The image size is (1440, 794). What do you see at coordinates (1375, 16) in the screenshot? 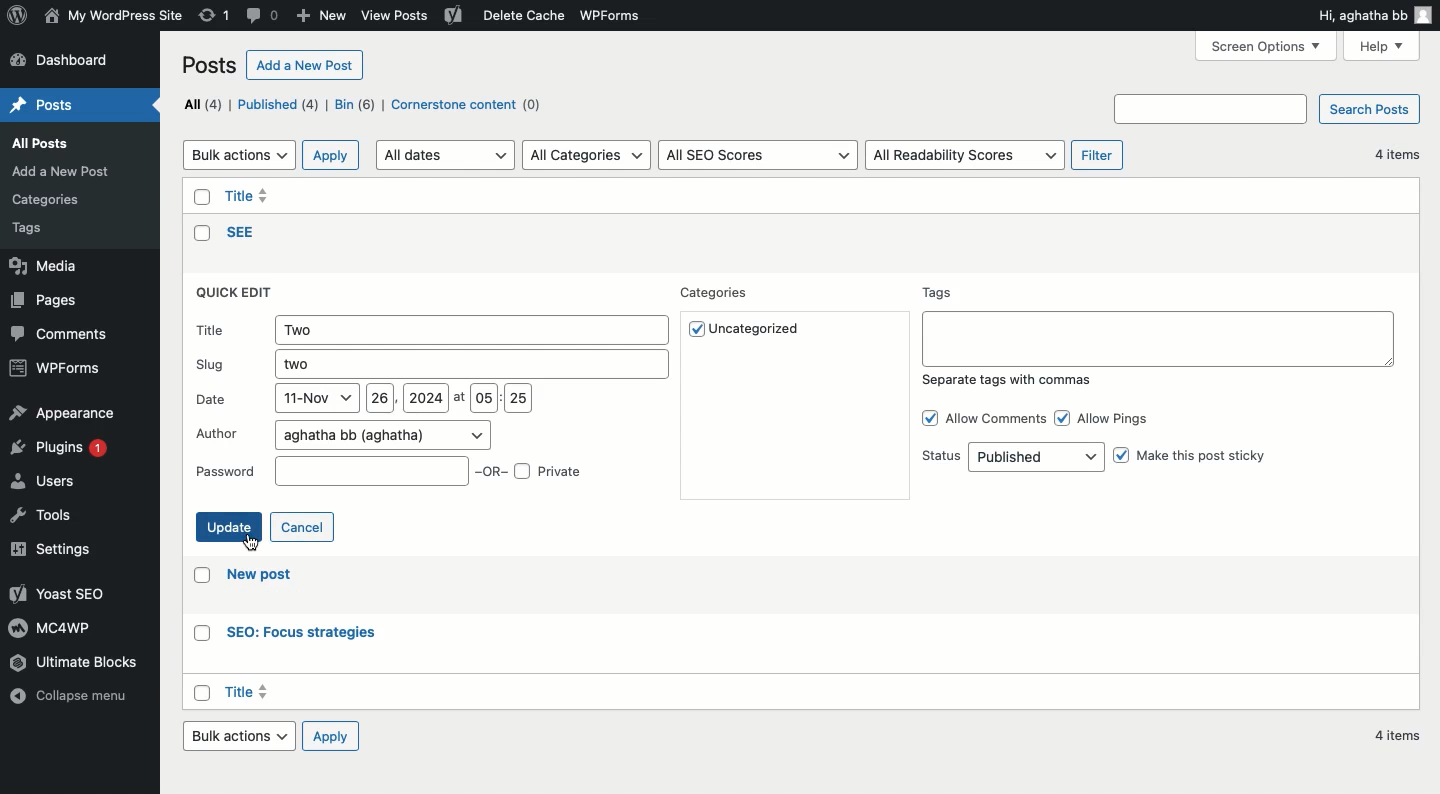
I see `Hi user` at bounding box center [1375, 16].